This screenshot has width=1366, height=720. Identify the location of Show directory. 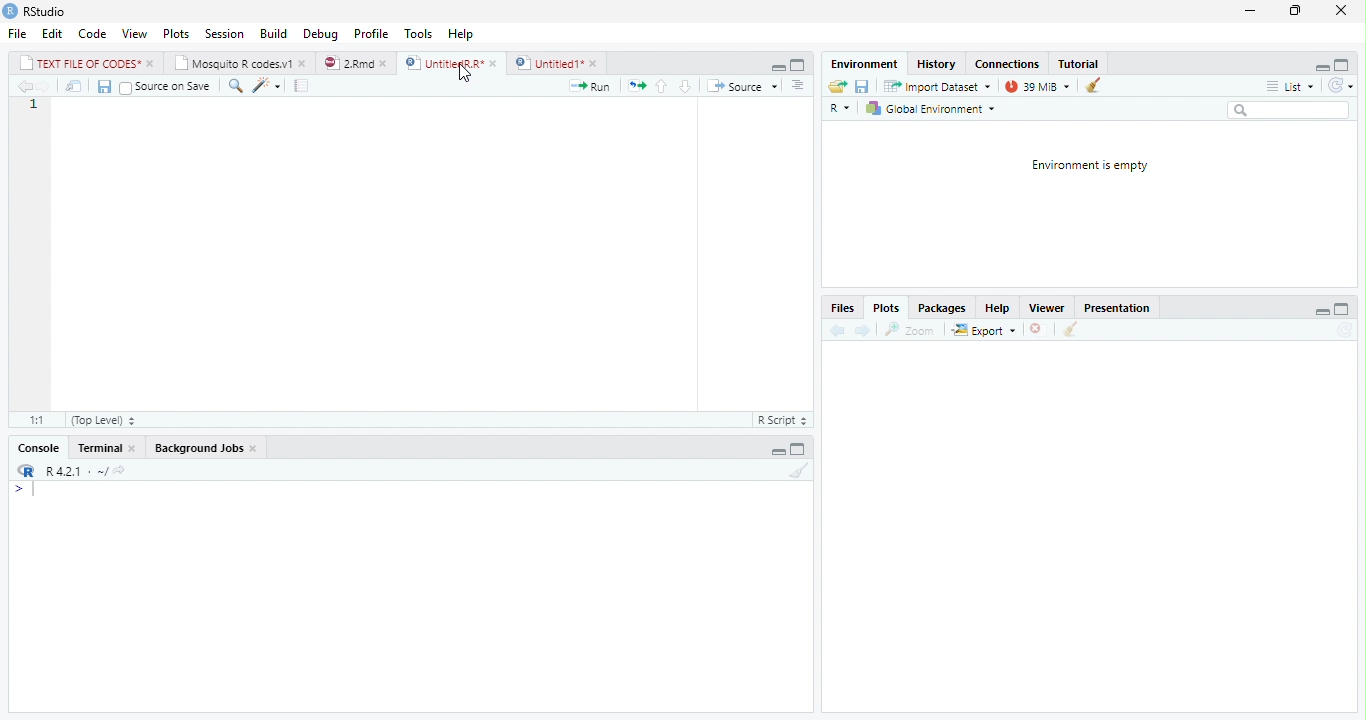
(119, 469).